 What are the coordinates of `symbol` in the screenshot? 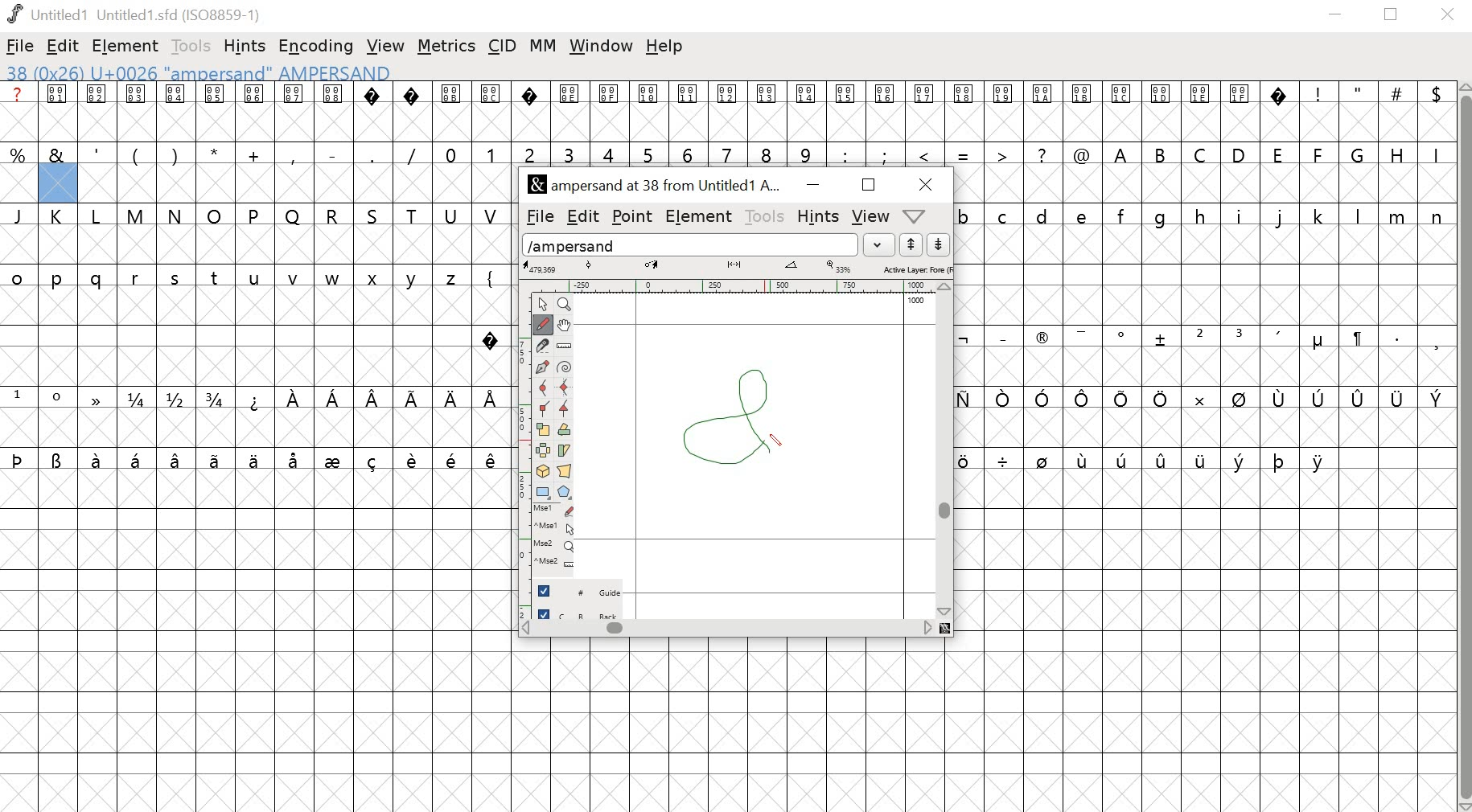 It's located at (1124, 399).